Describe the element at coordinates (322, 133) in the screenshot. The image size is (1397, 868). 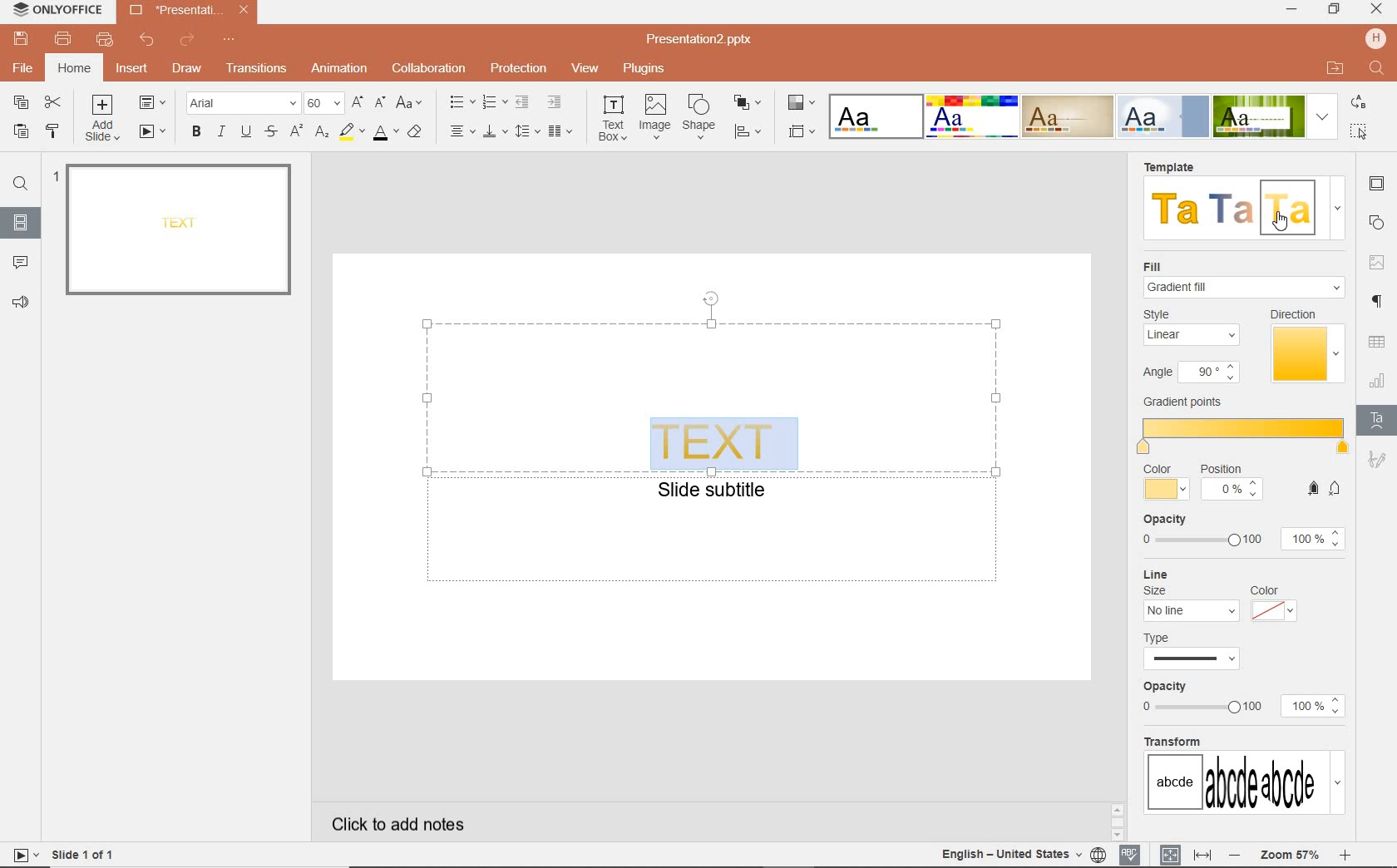
I see `SUBSCRIPT` at that location.